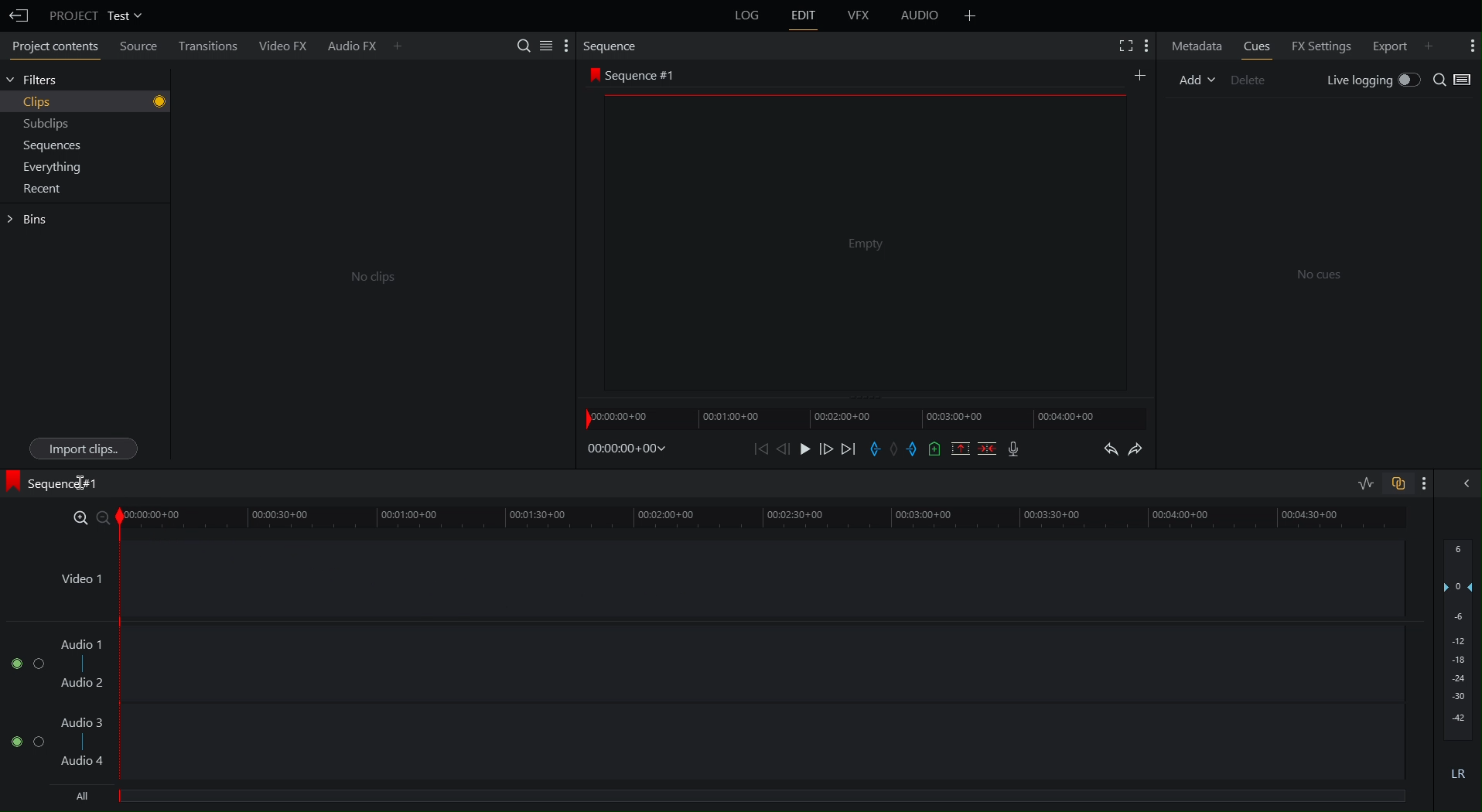 This screenshot has height=812, width=1482. I want to click on Fullscreen, so click(1119, 44).